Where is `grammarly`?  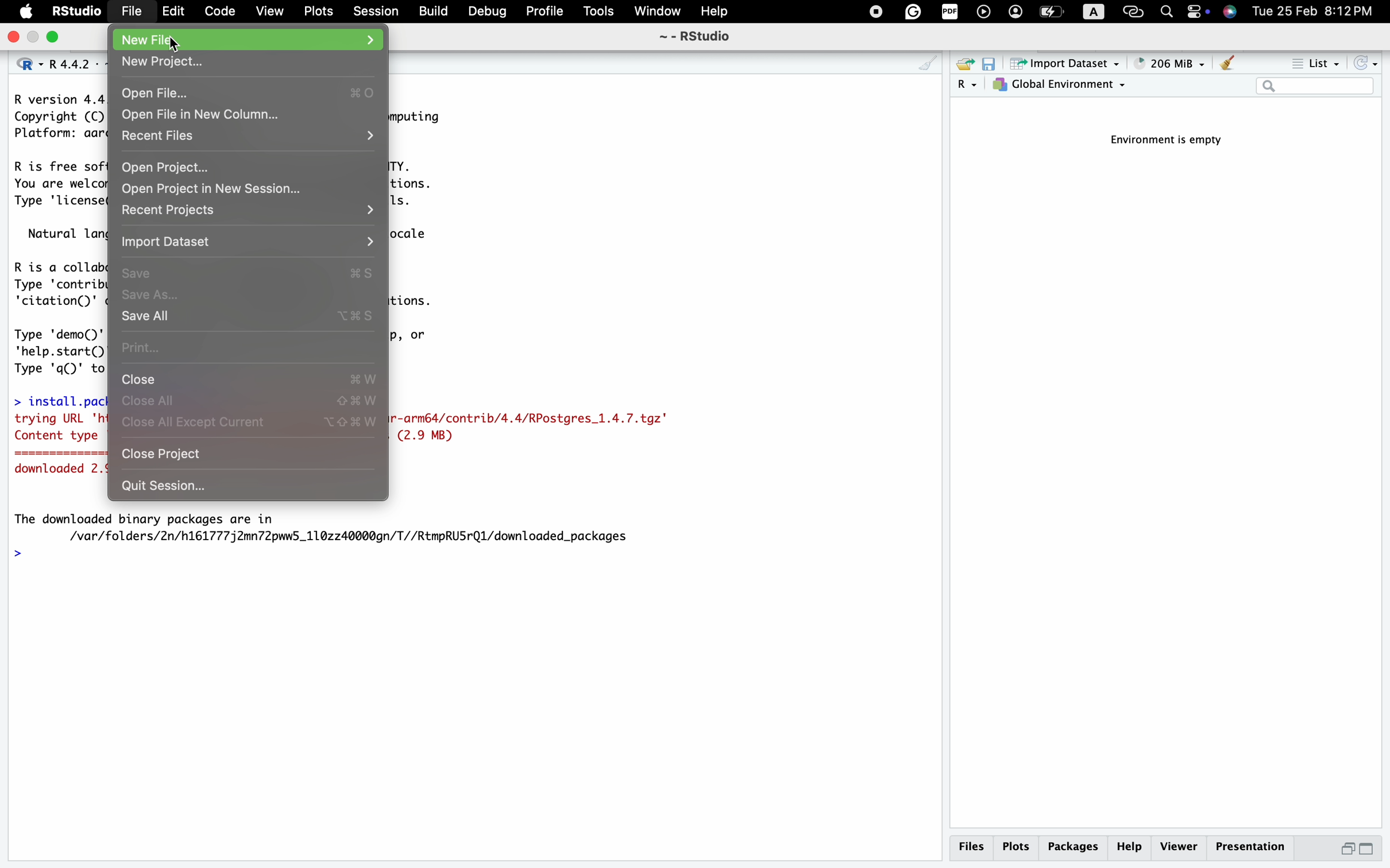
grammarly is located at coordinates (913, 12).